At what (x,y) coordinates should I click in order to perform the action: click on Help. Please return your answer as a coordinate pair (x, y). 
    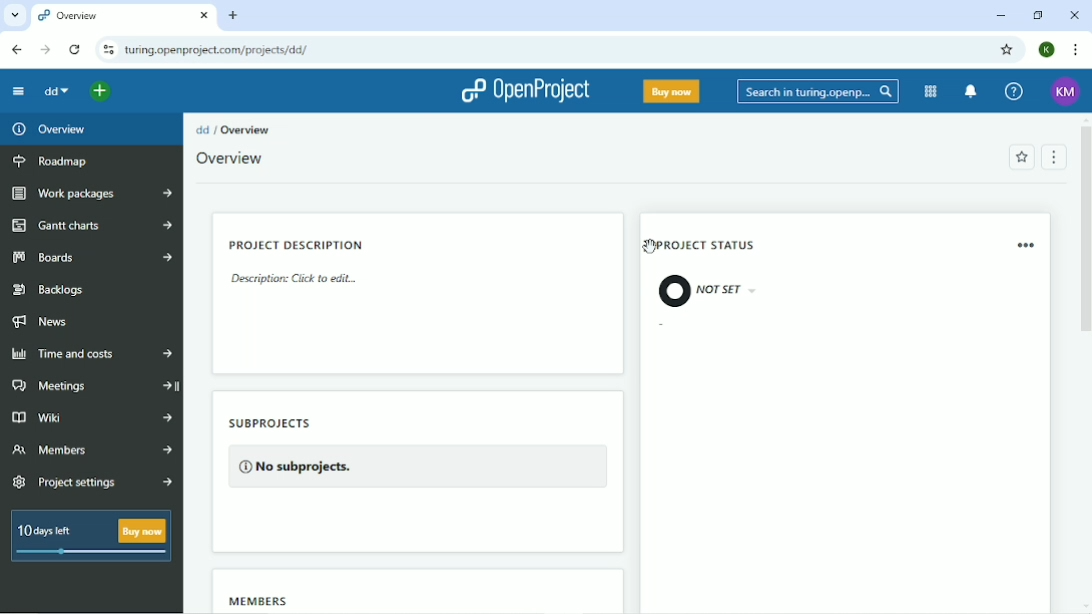
    Looking at the image, I should click on (1015, 92).